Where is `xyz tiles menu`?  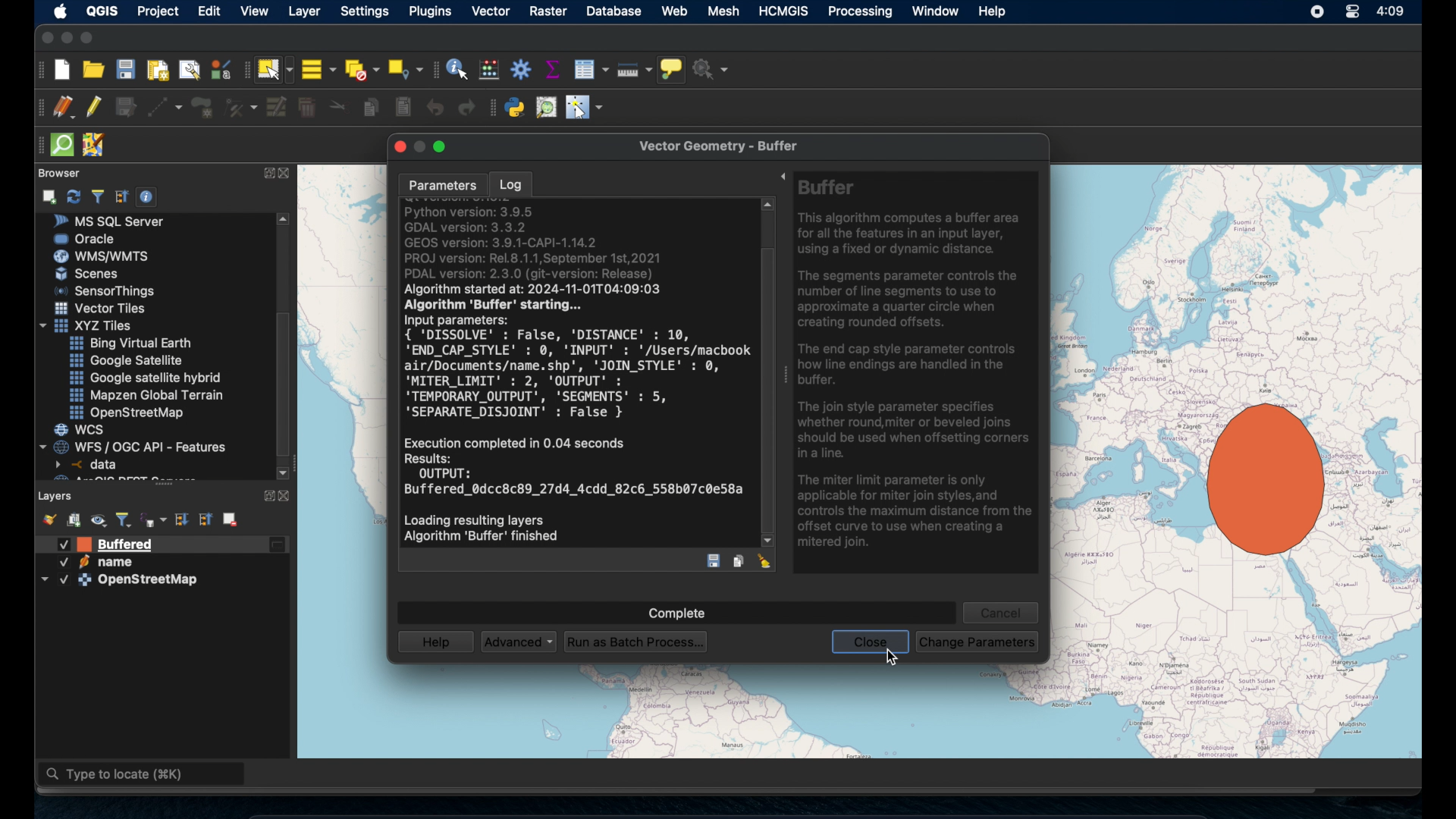 xyz tiles menu is located at coordinates (89, 325).